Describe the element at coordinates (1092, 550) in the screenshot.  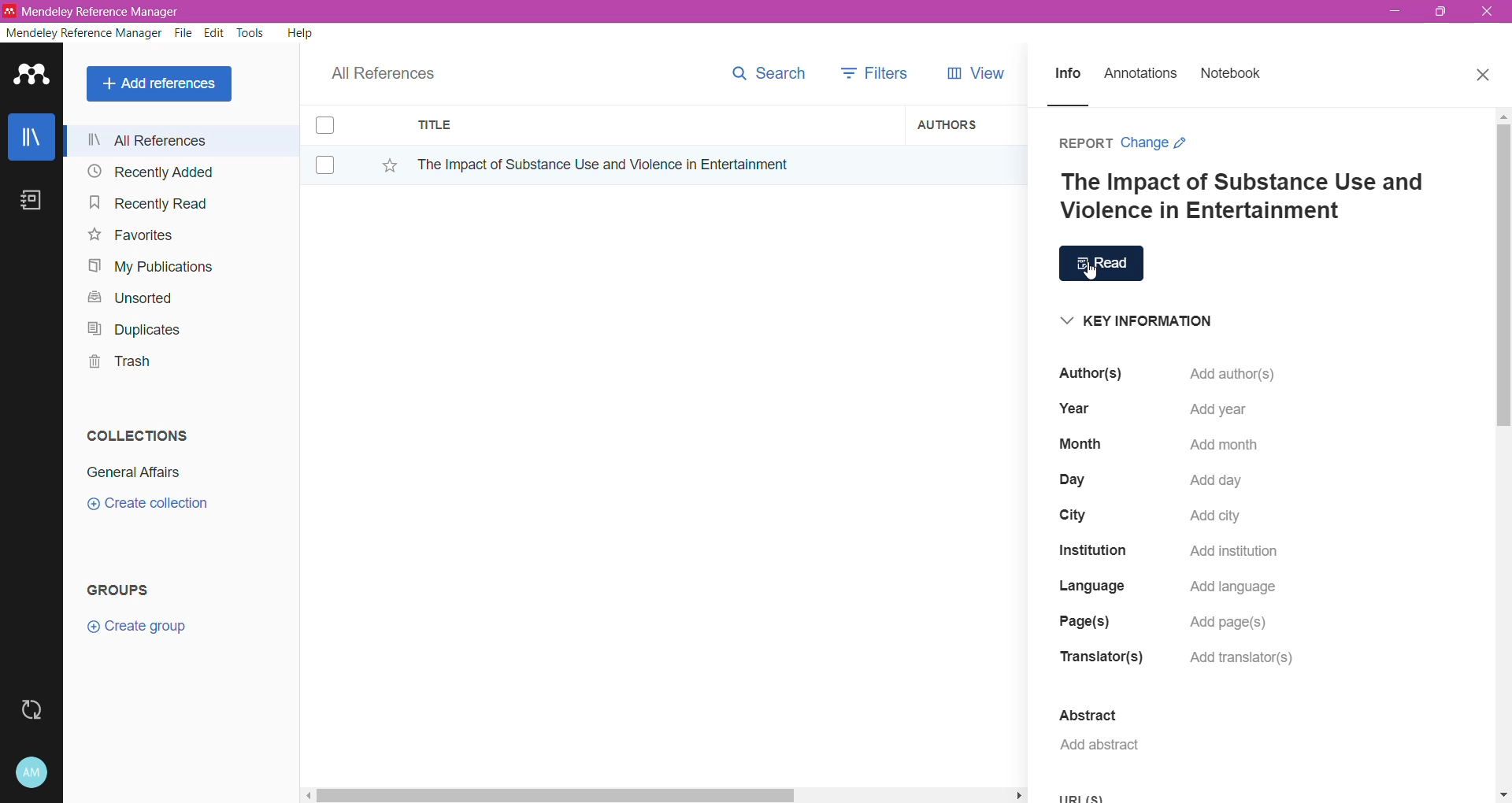
I see `Institution` at that location.